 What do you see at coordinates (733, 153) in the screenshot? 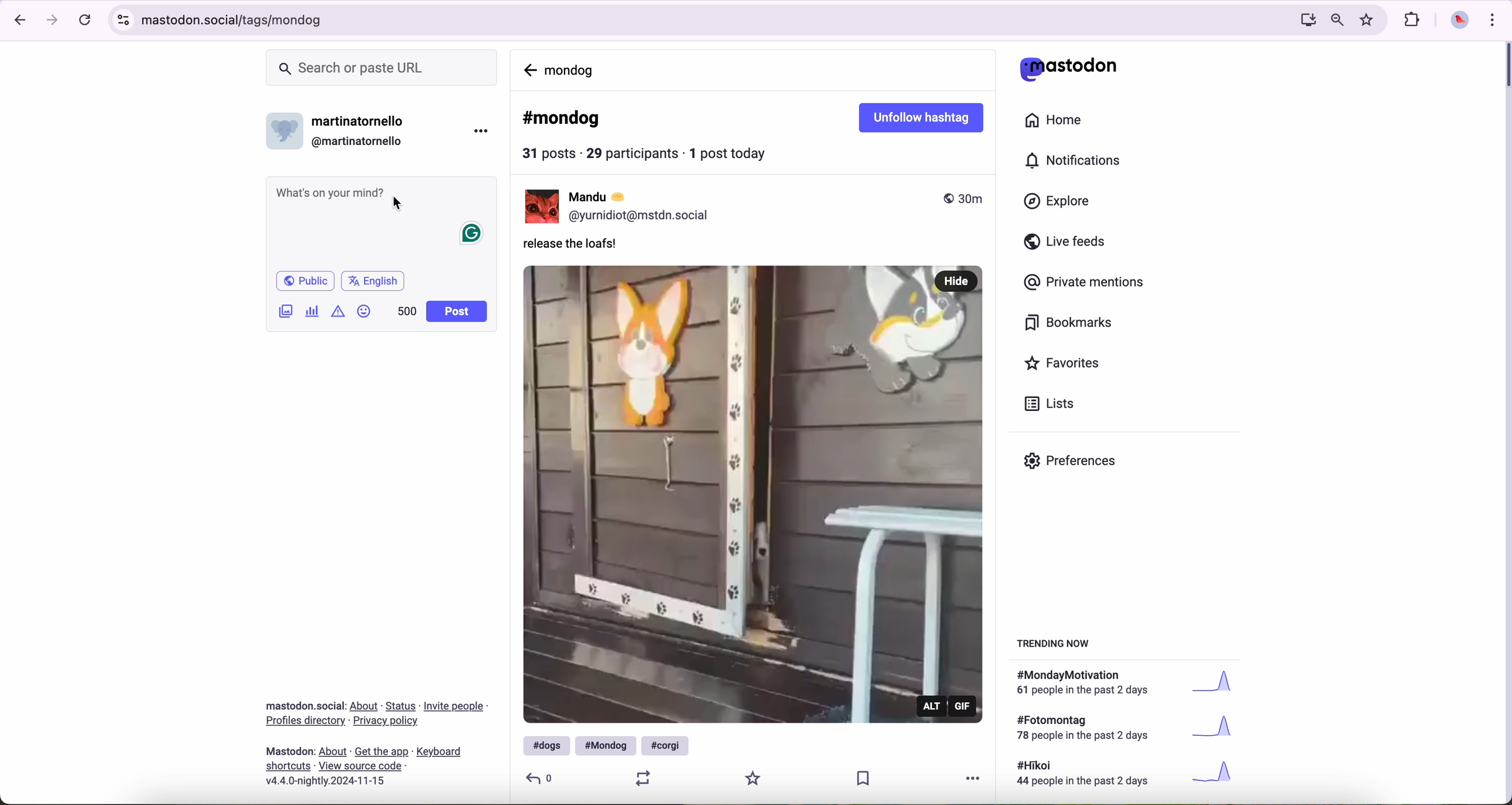
I see `1 post today` at bounding box center [733, 153].